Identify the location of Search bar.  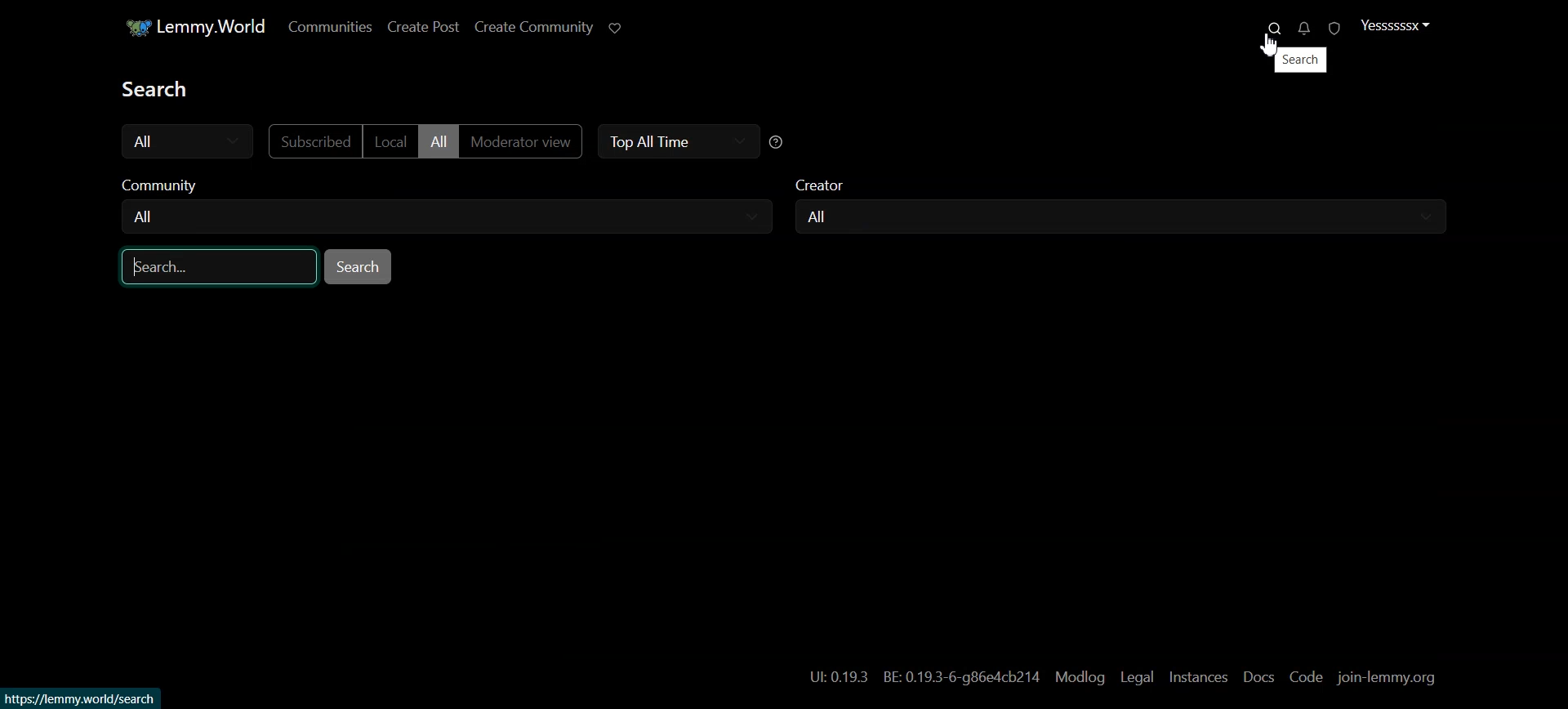
(211, 270).